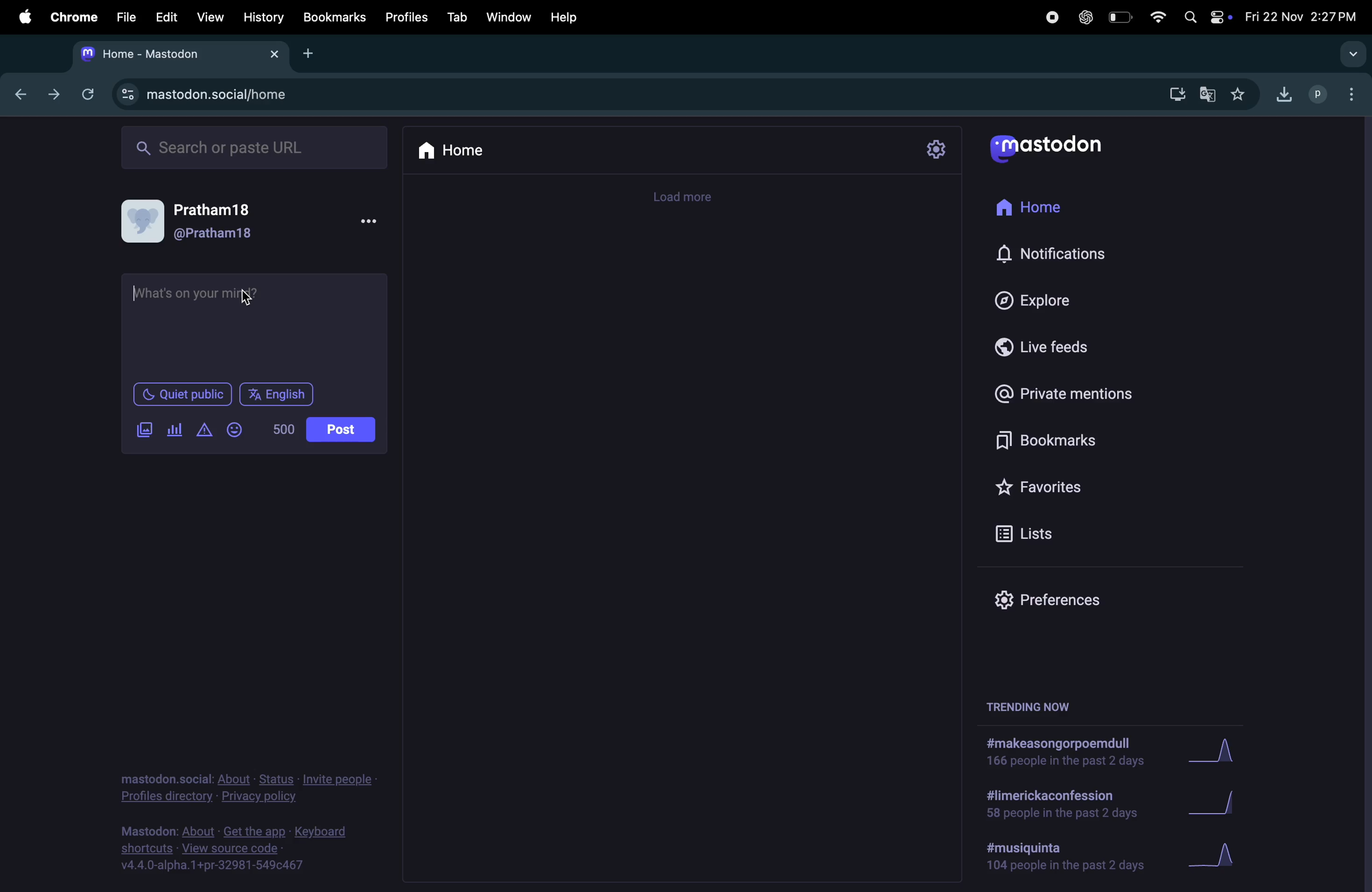 The image size is (1372, 892). What do you see at coordinates (244, 297) in the screenshot?
I see `cursor` at bounding box center [244, 297].